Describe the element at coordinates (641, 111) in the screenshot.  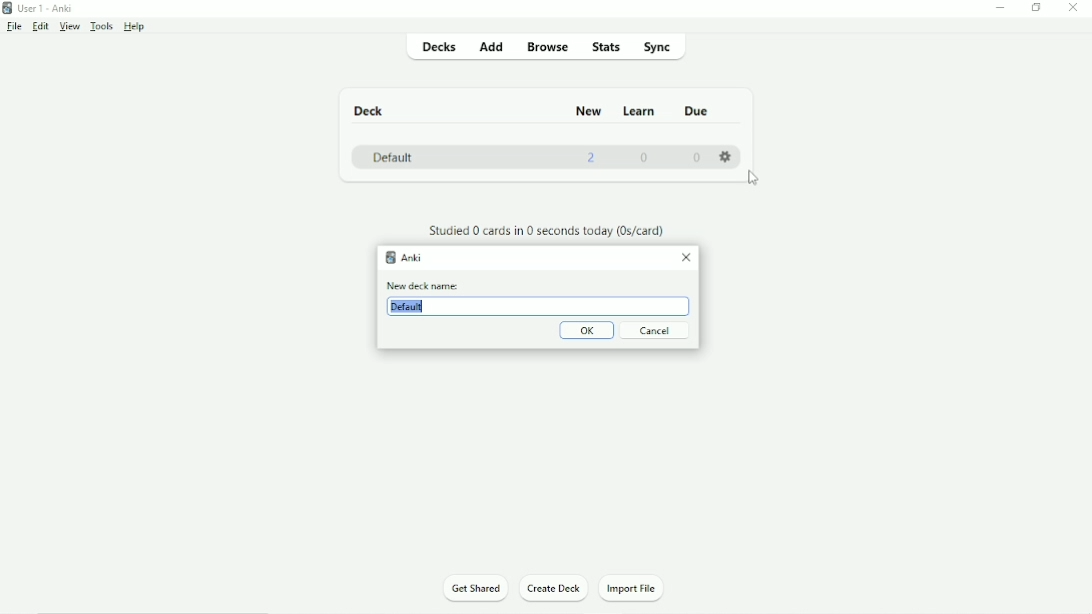
I see `Learn` at that location.